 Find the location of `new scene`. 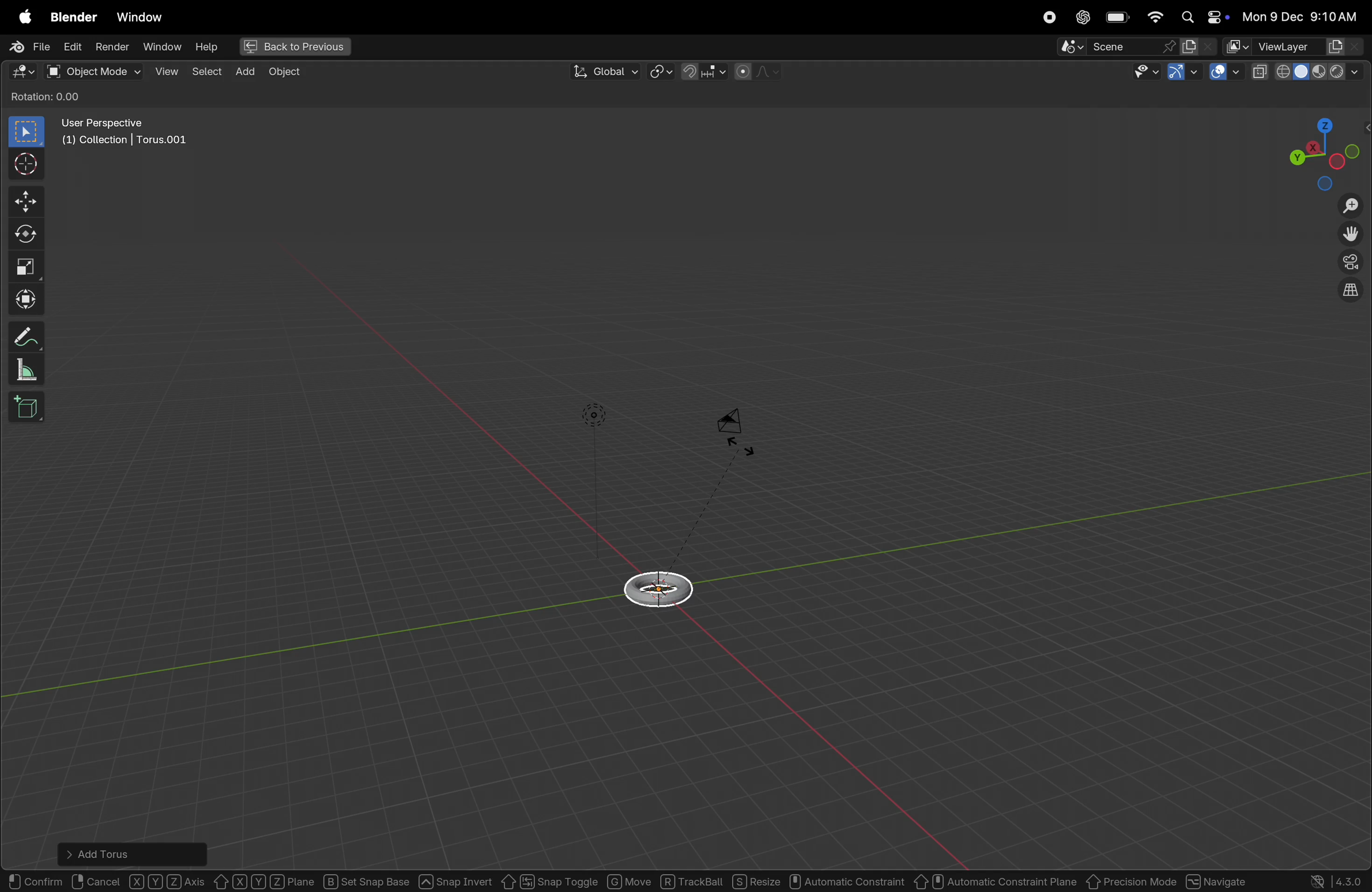

new scene is located at coordinates (1198, 47).